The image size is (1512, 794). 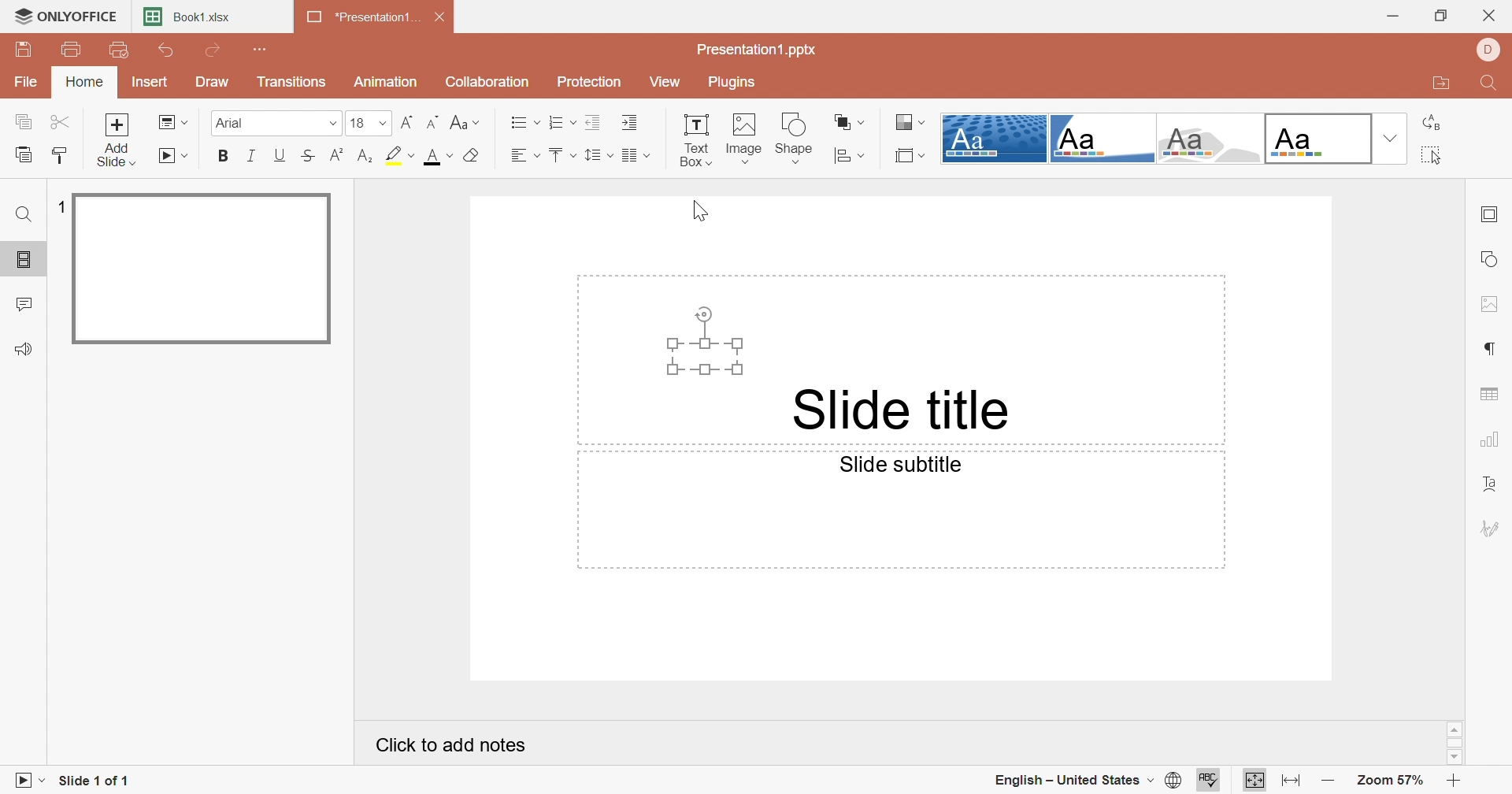 What do you see at coordinates (60, 156) in the screenshot?
I see `Copy style` at bounding box center [60, 156].